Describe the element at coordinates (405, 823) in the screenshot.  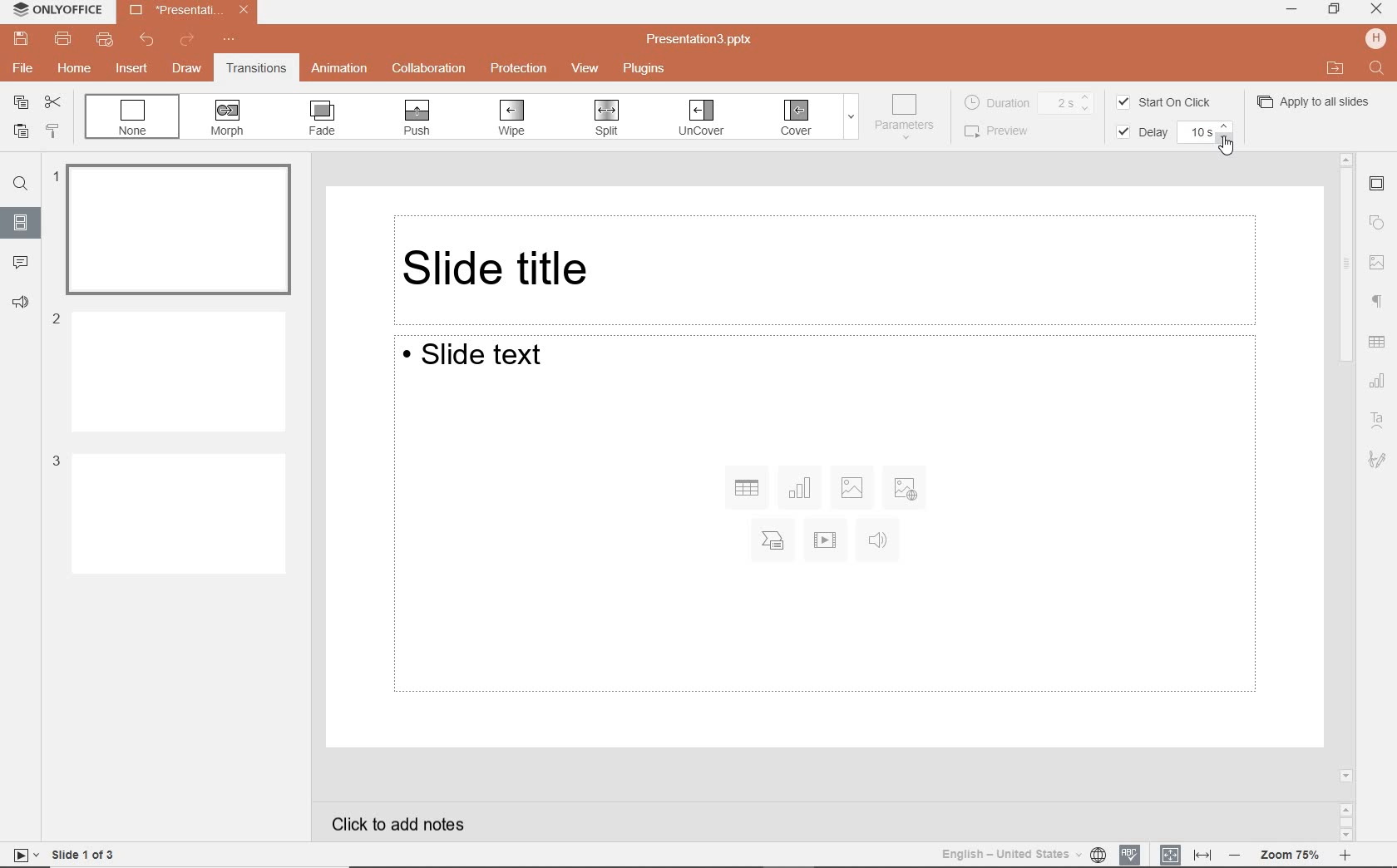
I see `click to add notes` at that location.